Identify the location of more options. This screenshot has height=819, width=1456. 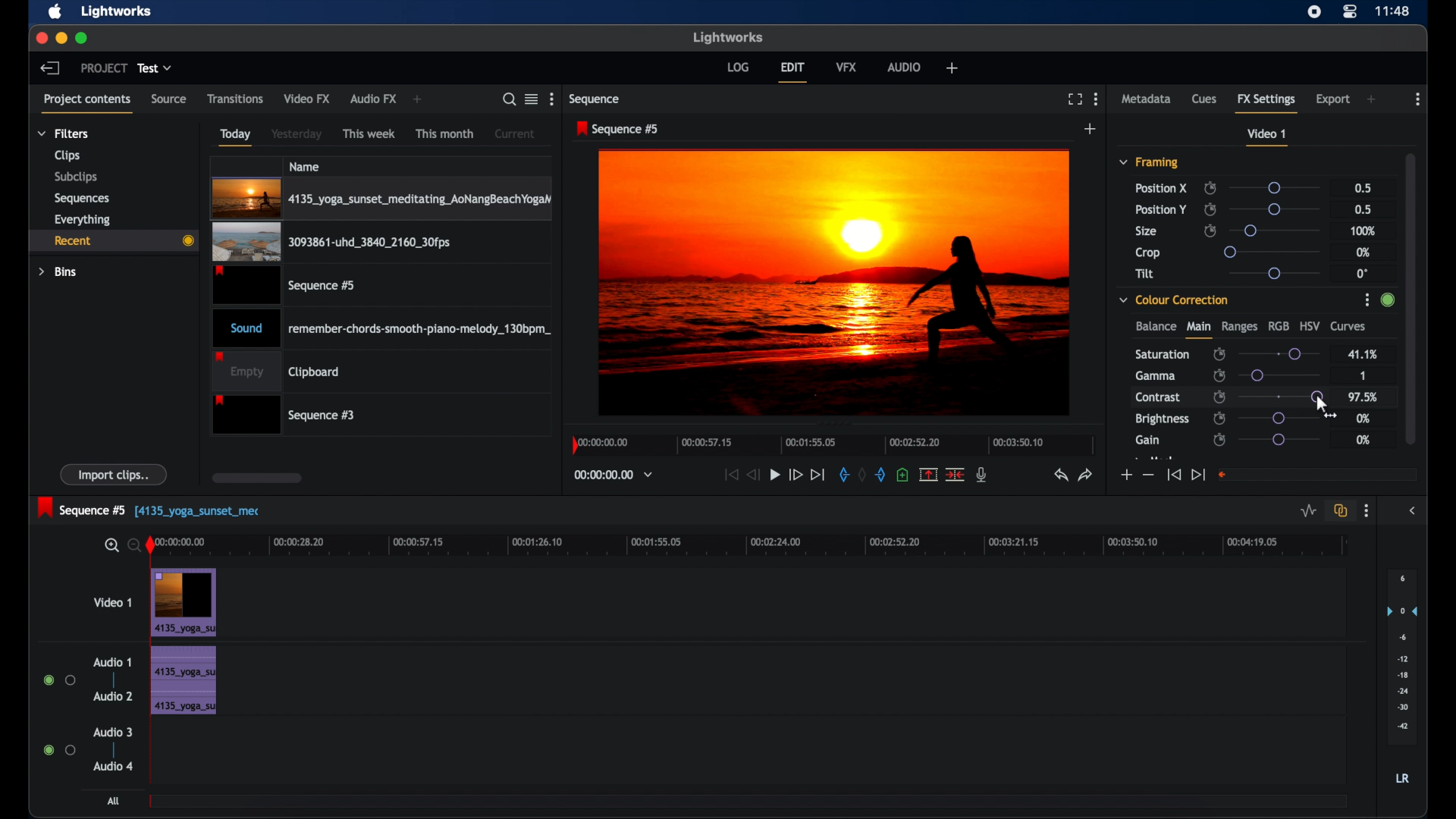
(1418, 99).